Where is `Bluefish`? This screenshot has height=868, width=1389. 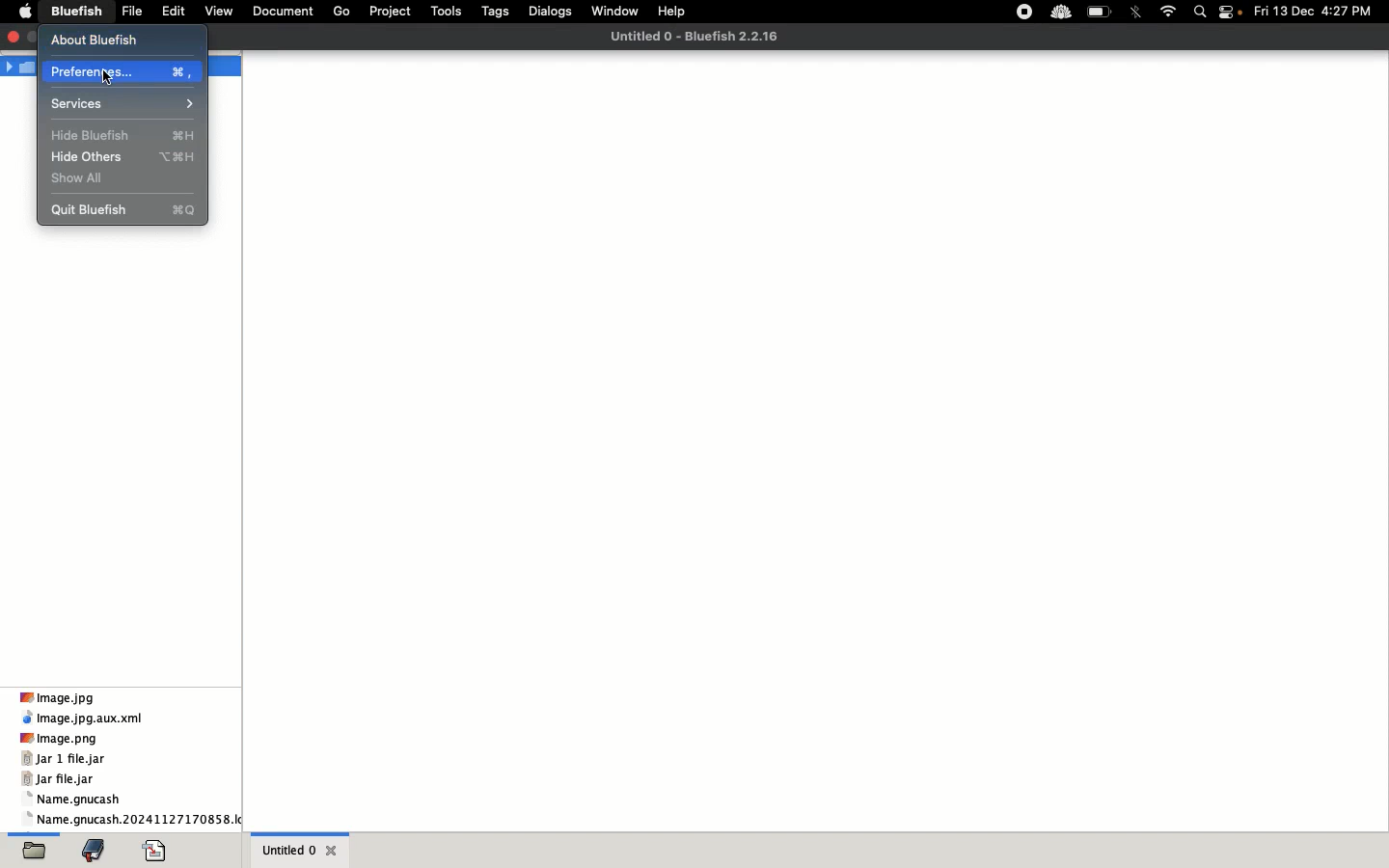 Bluefish is located at coordinates (74, 13).